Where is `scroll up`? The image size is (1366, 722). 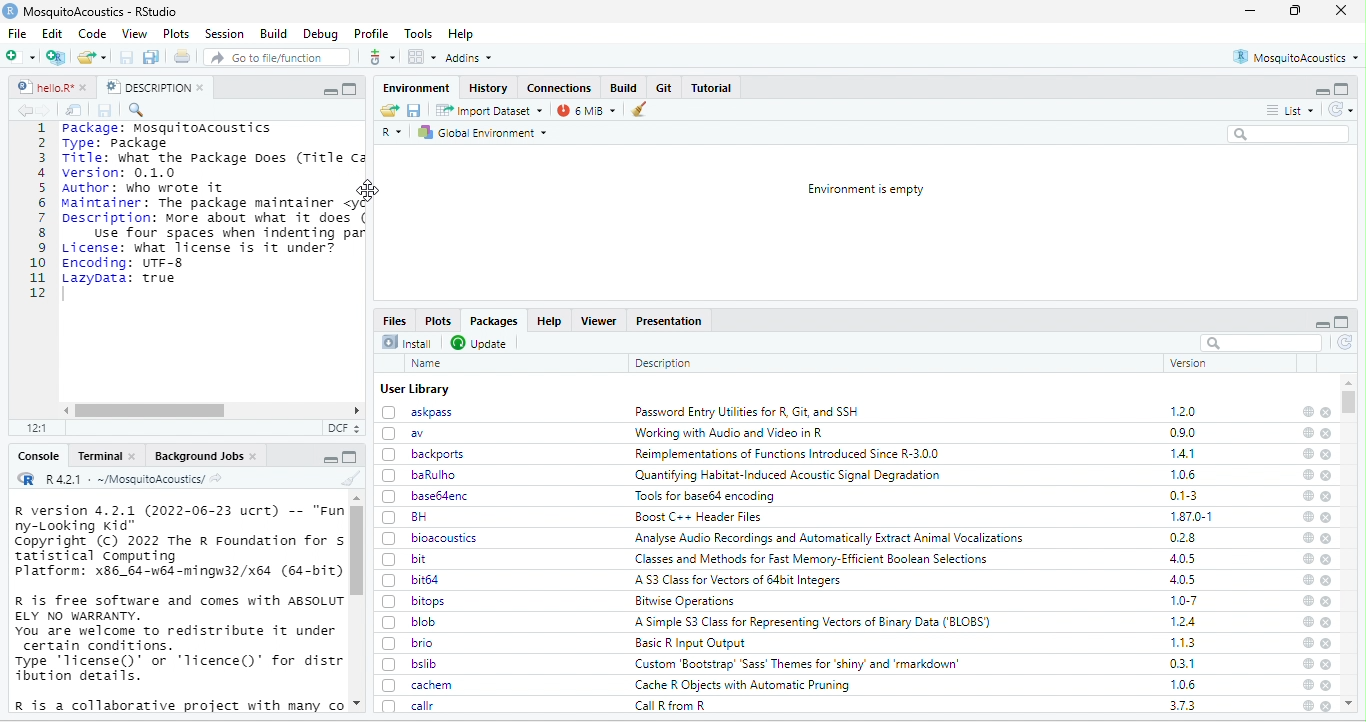
scroll up is located at coordinates (1351, 704).